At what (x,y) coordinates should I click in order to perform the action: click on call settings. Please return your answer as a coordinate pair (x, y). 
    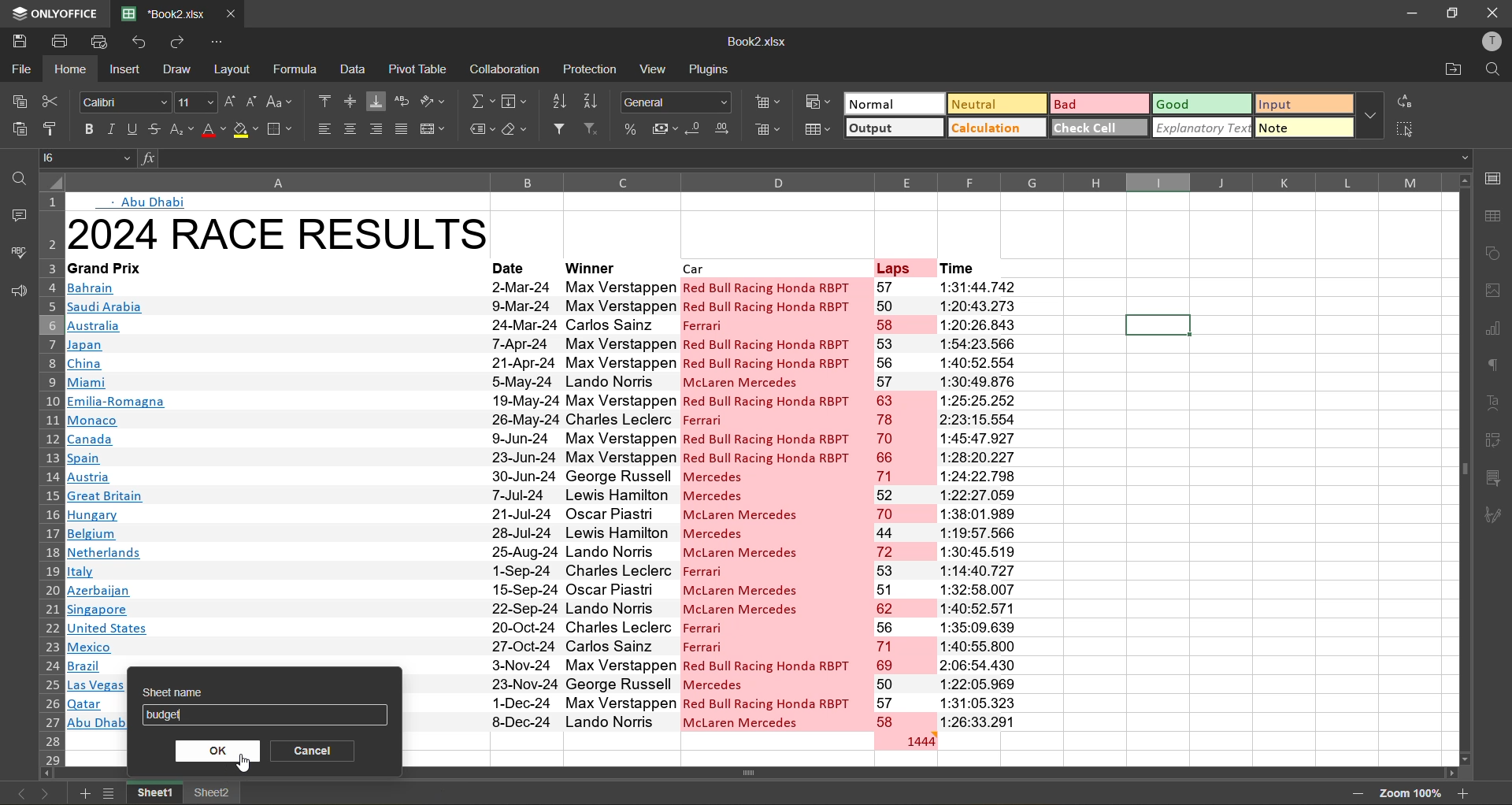
    Looking at the image, I should click on (1496, 179).